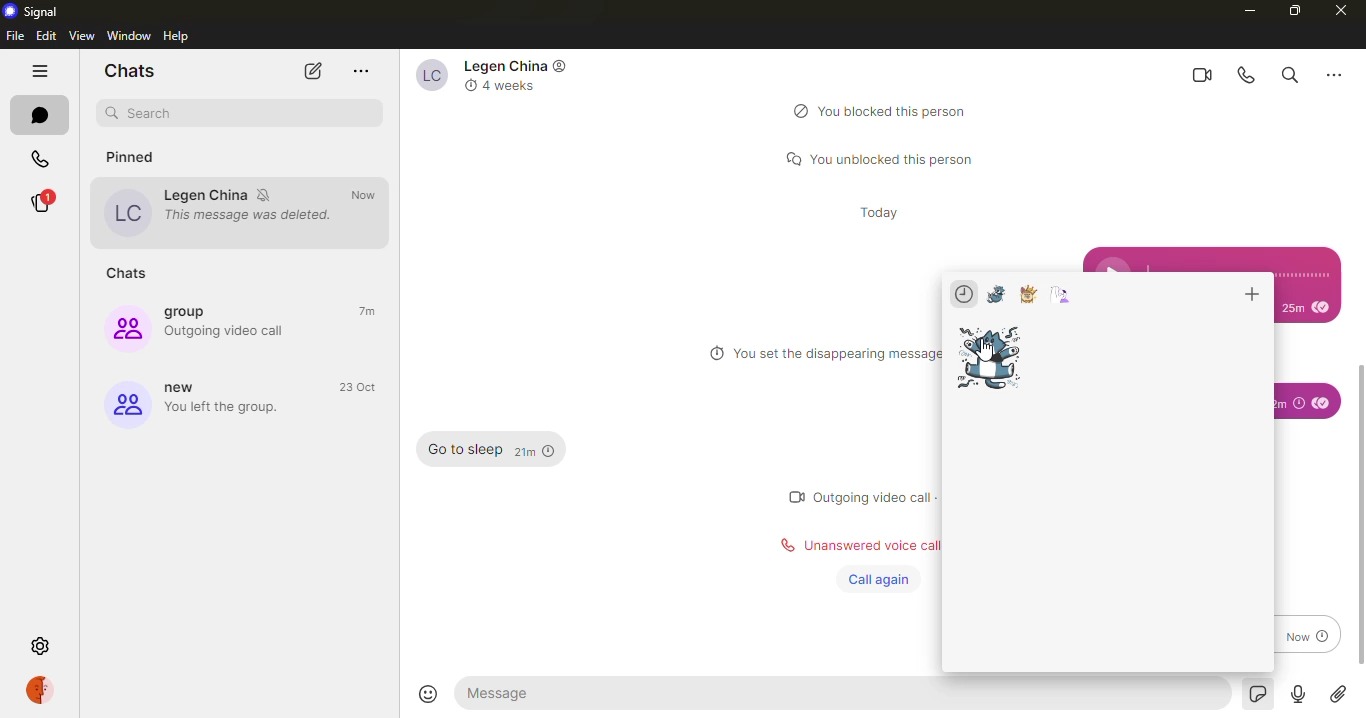  What do you see at coordinates (1249, 295) in the screenshot?
I see `add` at bounding box center [1249, 295].